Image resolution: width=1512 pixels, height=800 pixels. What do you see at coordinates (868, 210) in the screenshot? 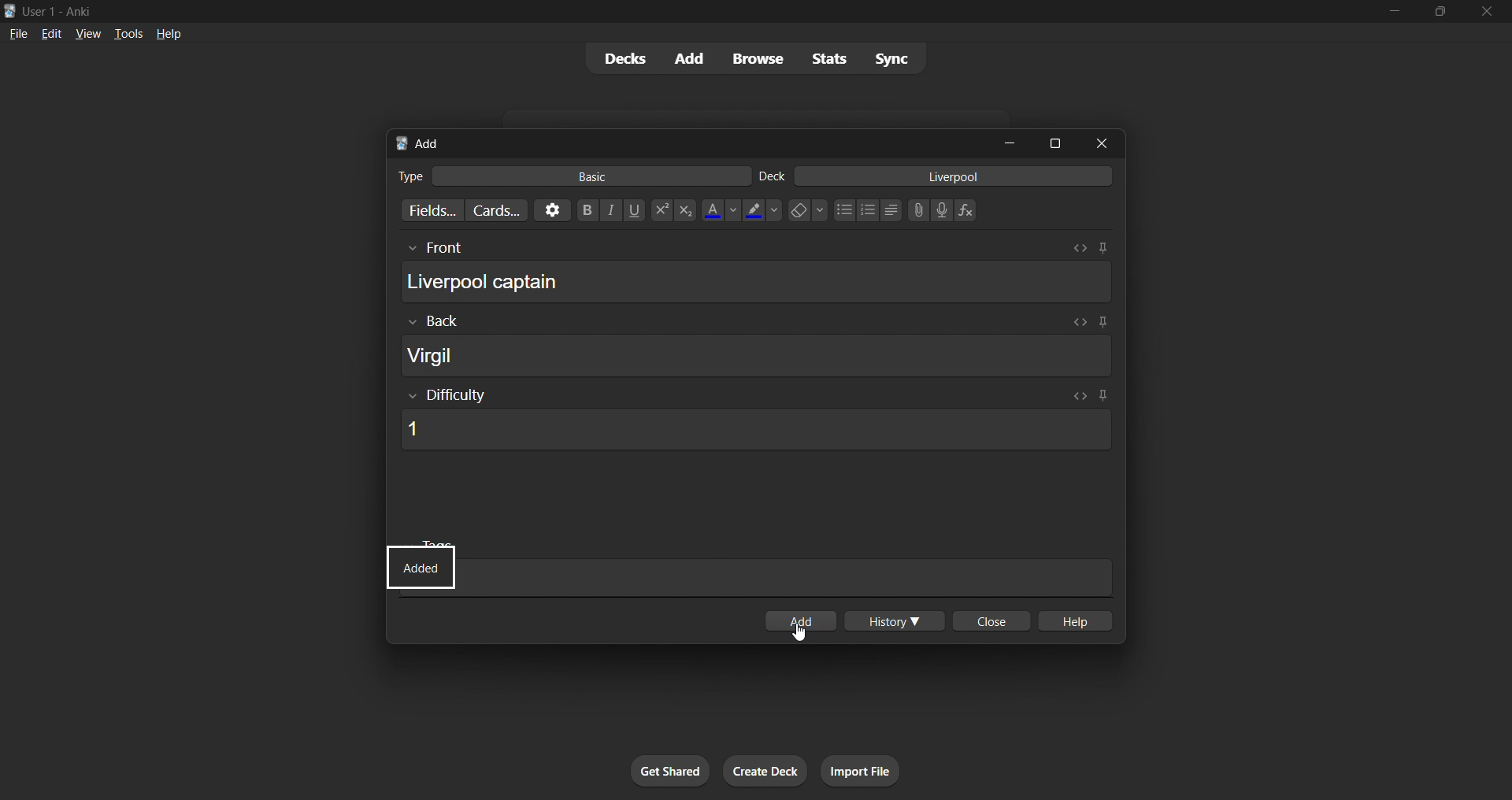
I see `Ordered list` at bounding box center [868, 210].